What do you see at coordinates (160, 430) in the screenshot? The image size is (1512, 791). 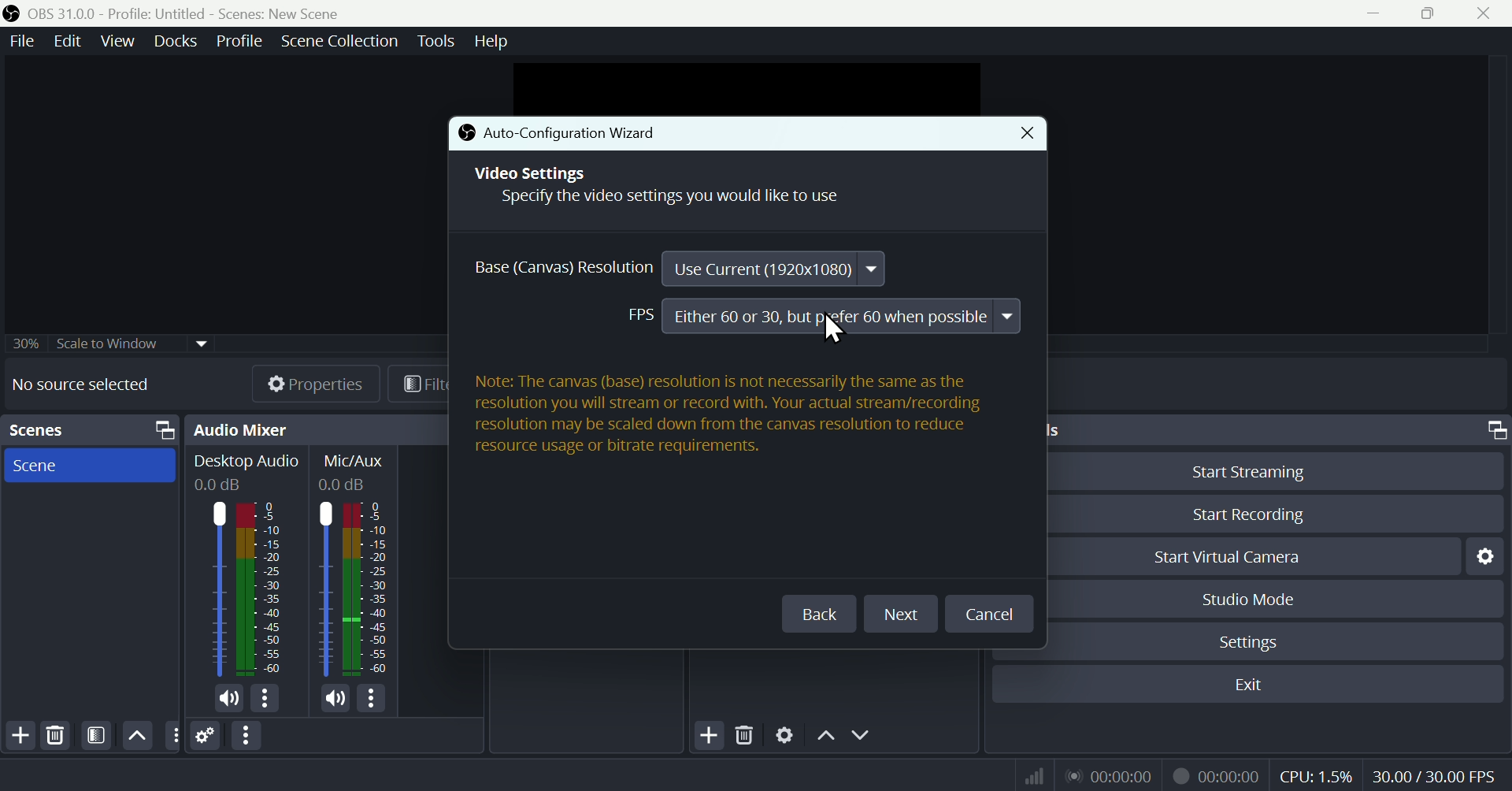 I see `screen resize` at bounding box center [160, 430].